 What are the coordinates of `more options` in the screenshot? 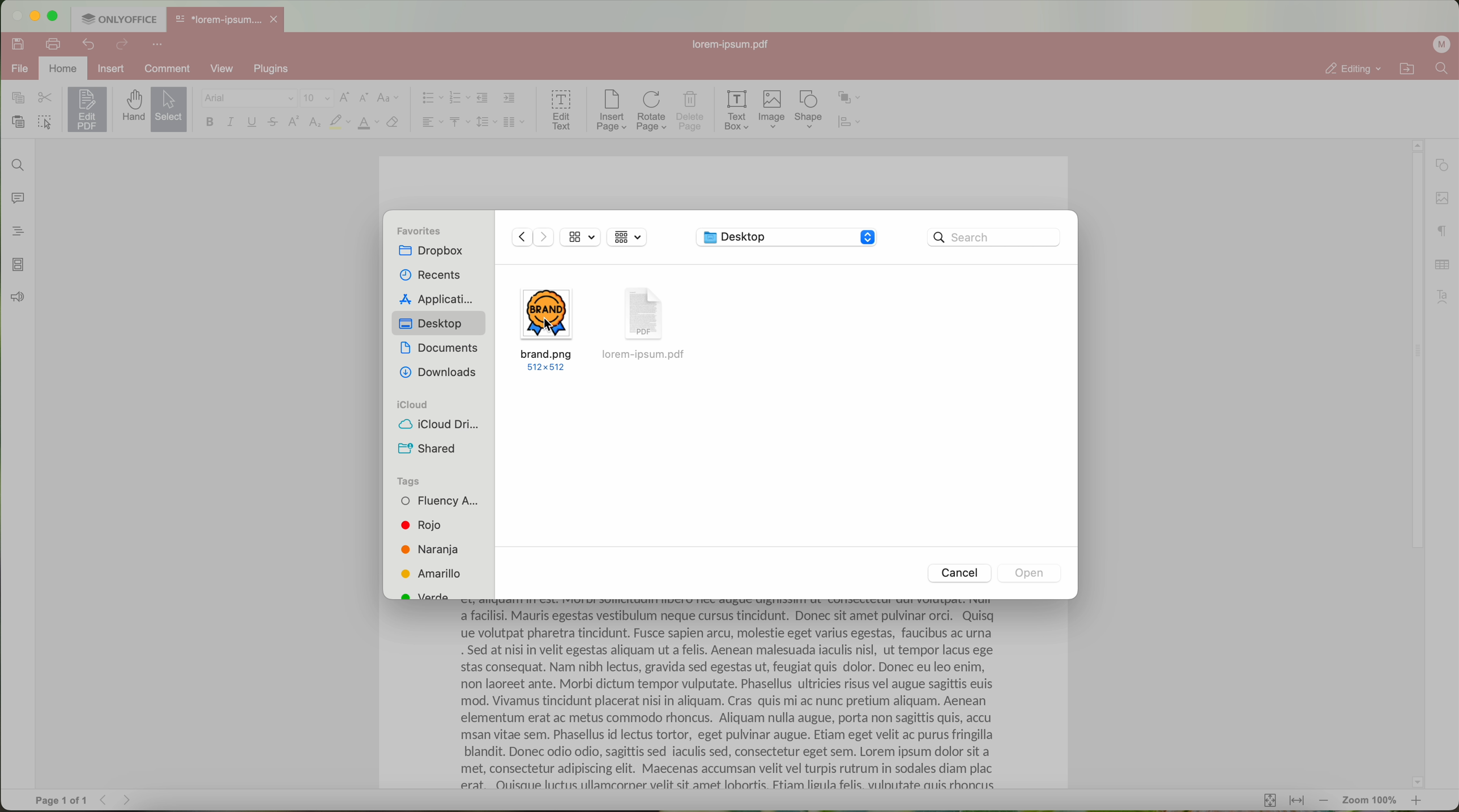 It's located at (160, 43).